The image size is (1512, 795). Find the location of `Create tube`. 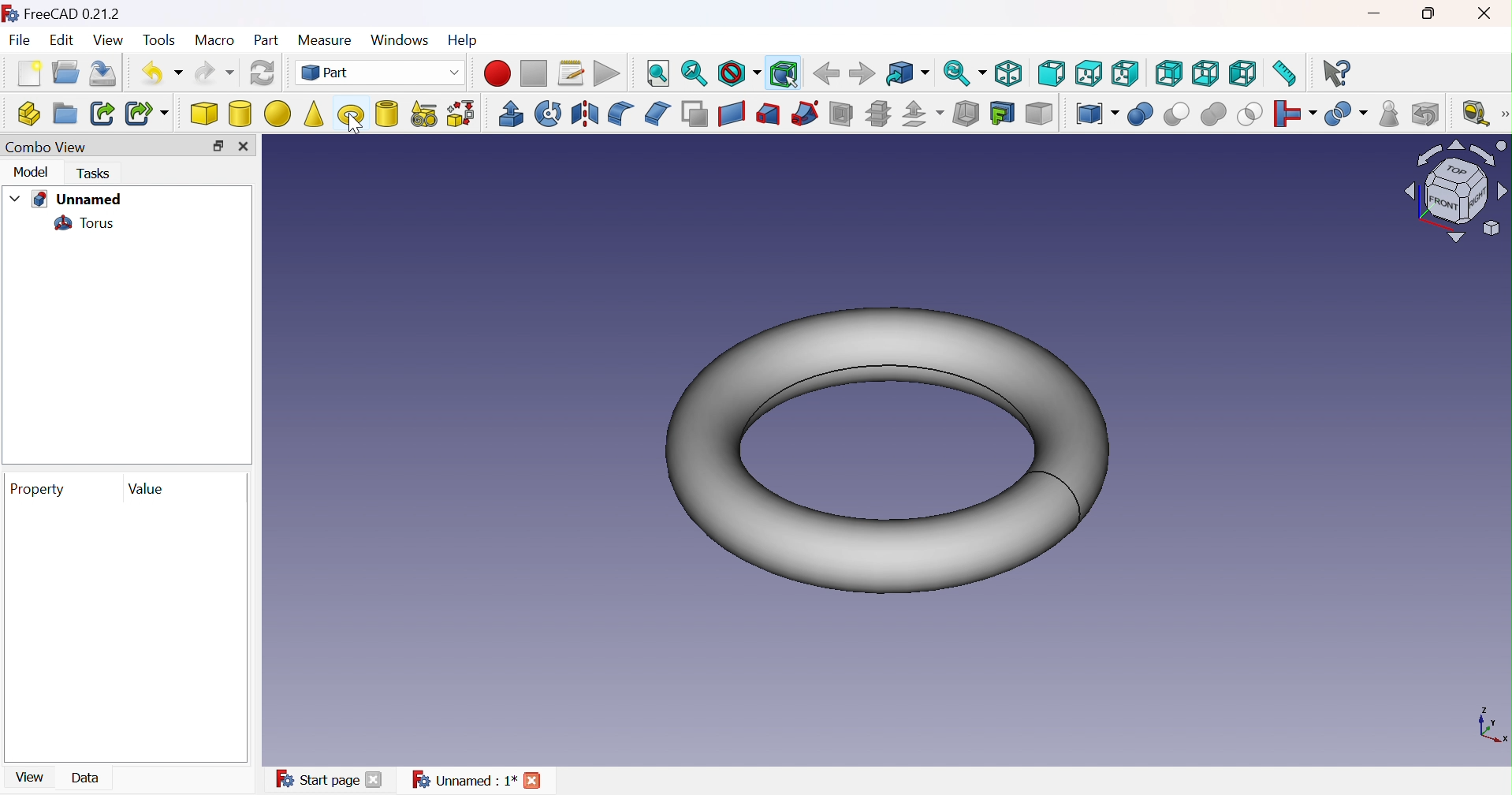

Create tube is located at coordinates (390, 115).